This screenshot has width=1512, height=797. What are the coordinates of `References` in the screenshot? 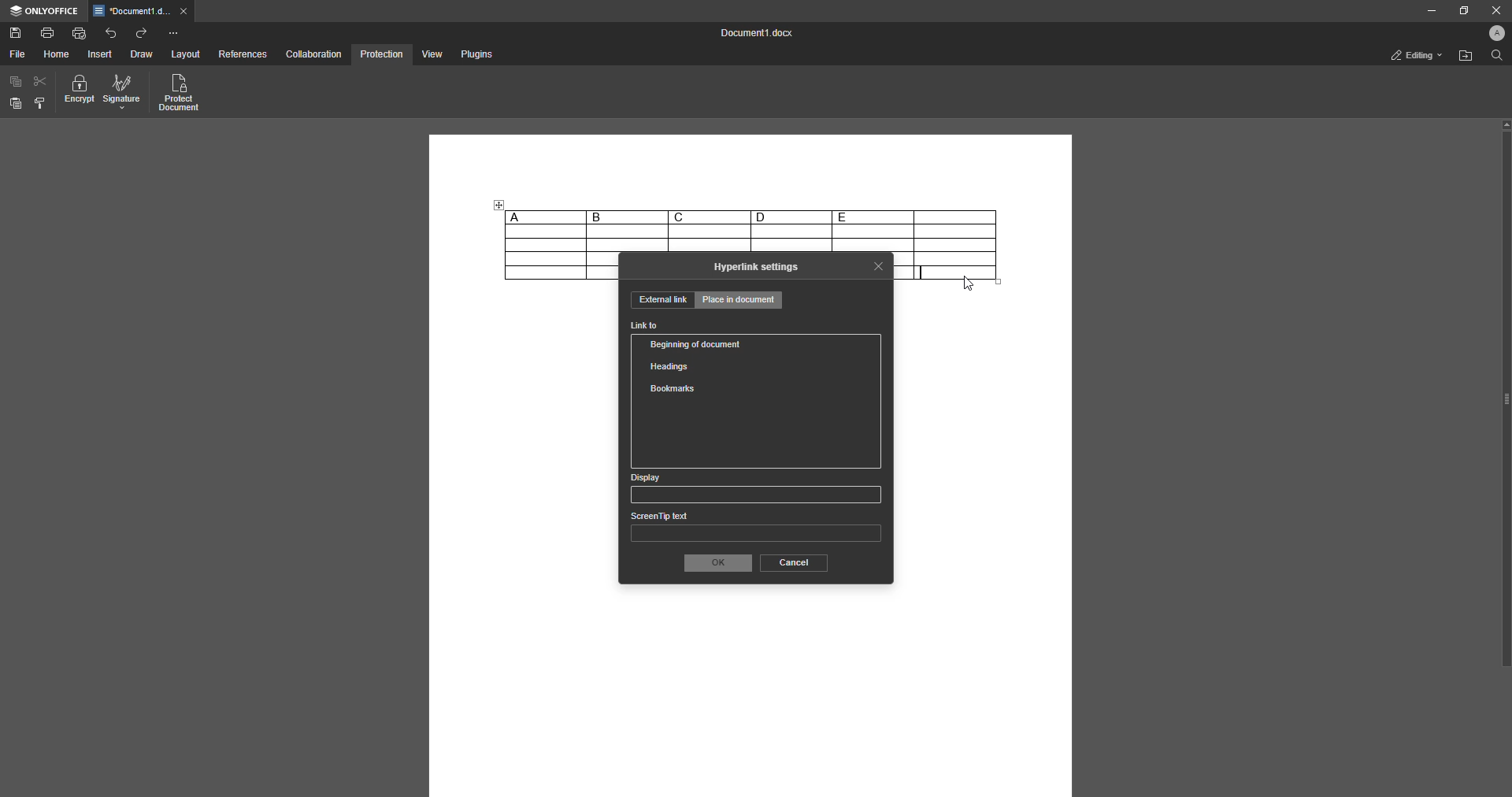 It's located at (242, 55).